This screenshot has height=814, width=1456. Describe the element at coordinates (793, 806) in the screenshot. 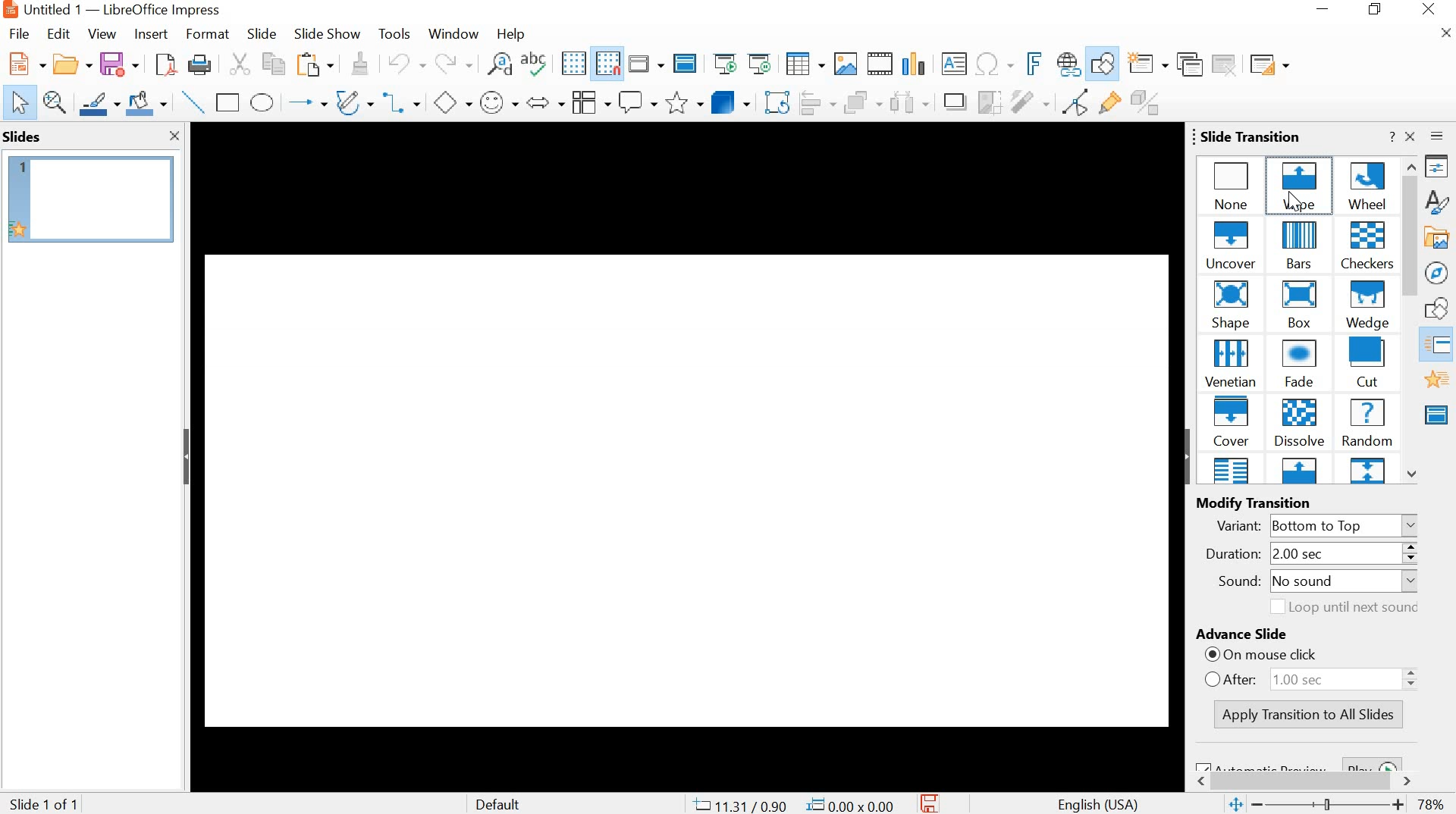

I see `POSITION AND SCALE` at that location.